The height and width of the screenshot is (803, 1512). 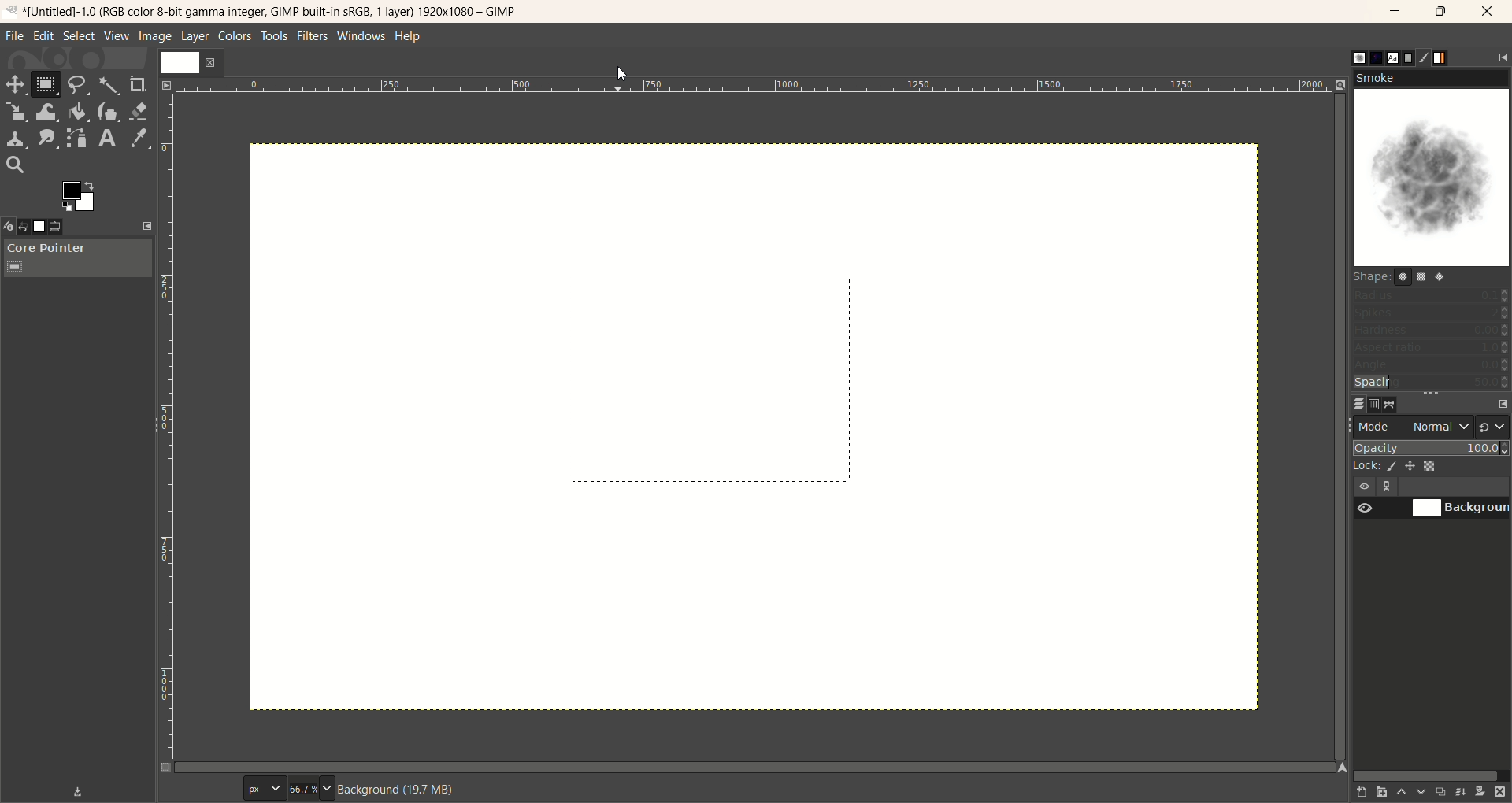 What do you see at coordinates (46, 111) in the screenshot?
I see `wrap transform` at bounding box center [46, 111].